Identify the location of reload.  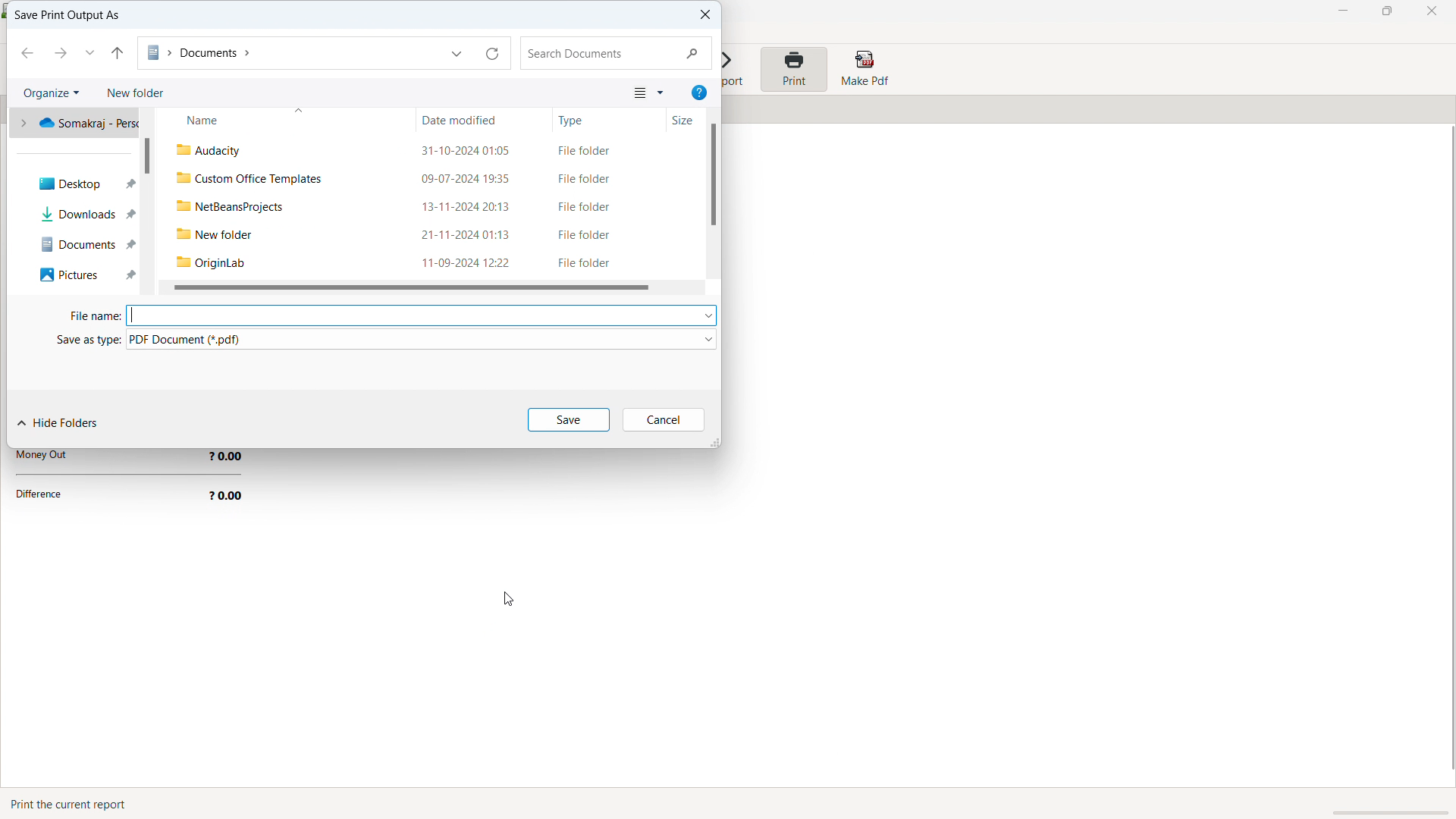
(494, 52).